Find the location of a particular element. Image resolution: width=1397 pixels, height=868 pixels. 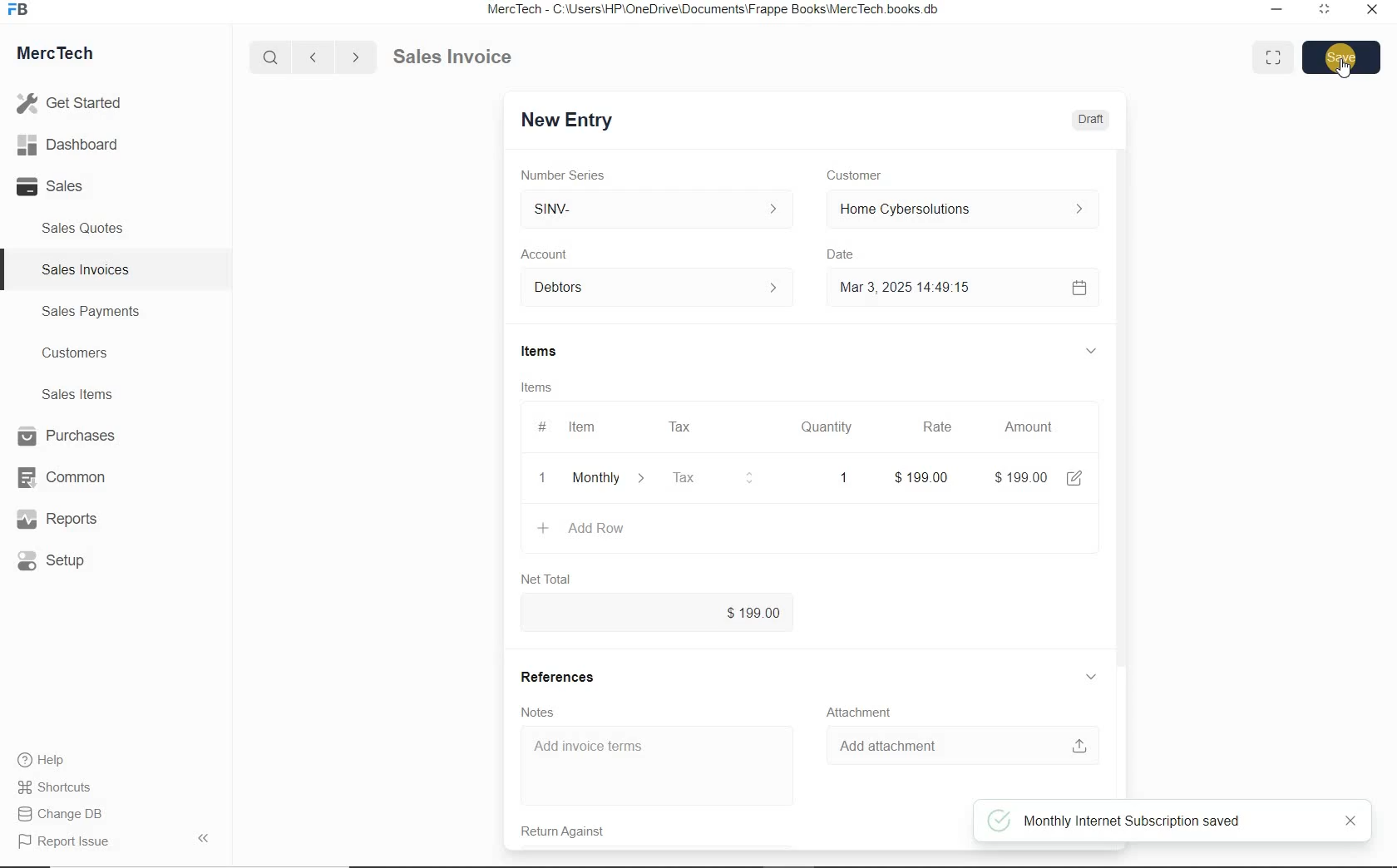

Minimize is located at coordinates (1276, 12).